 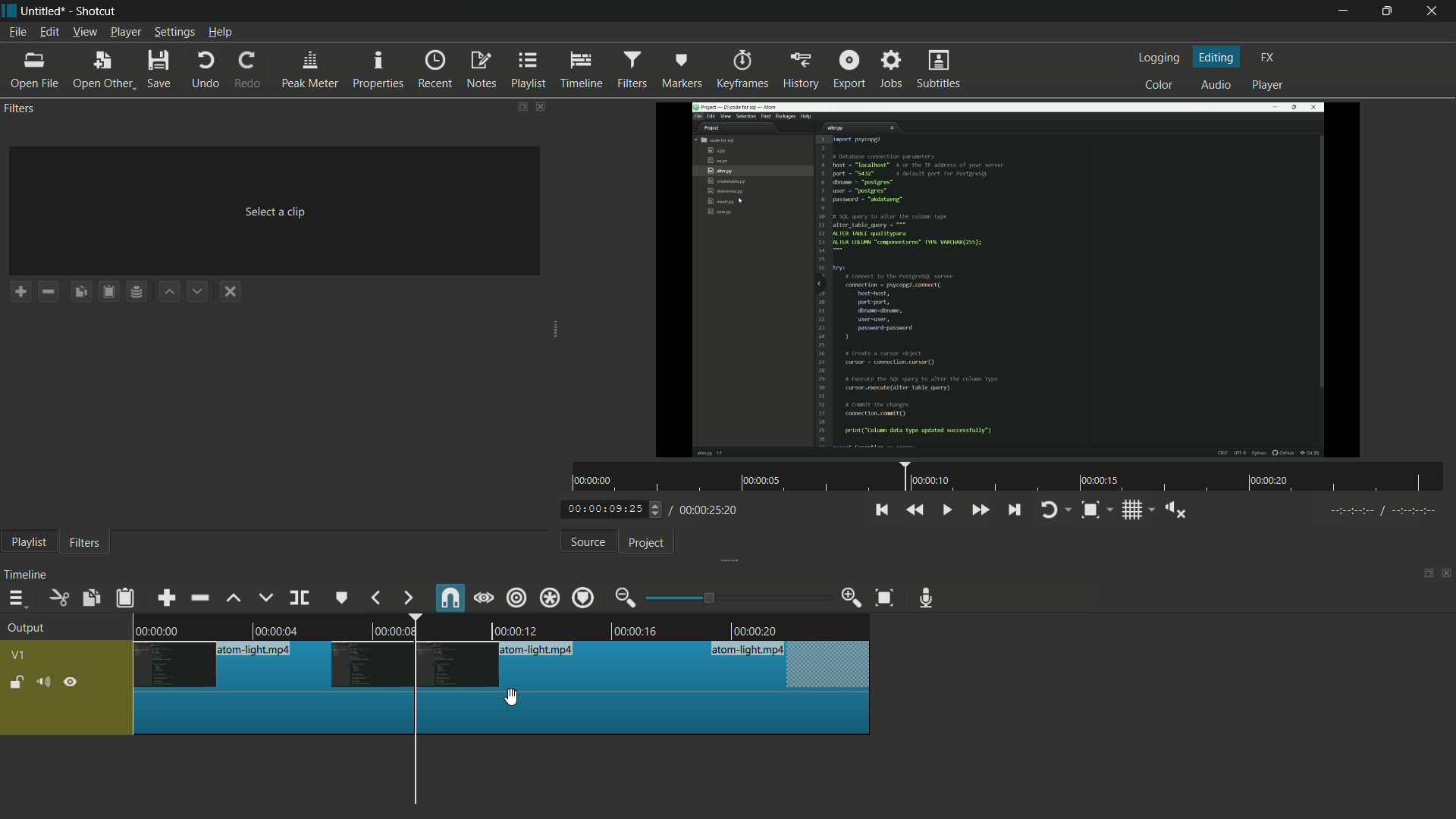 I want to click on open other, so click(x=104, y=71).